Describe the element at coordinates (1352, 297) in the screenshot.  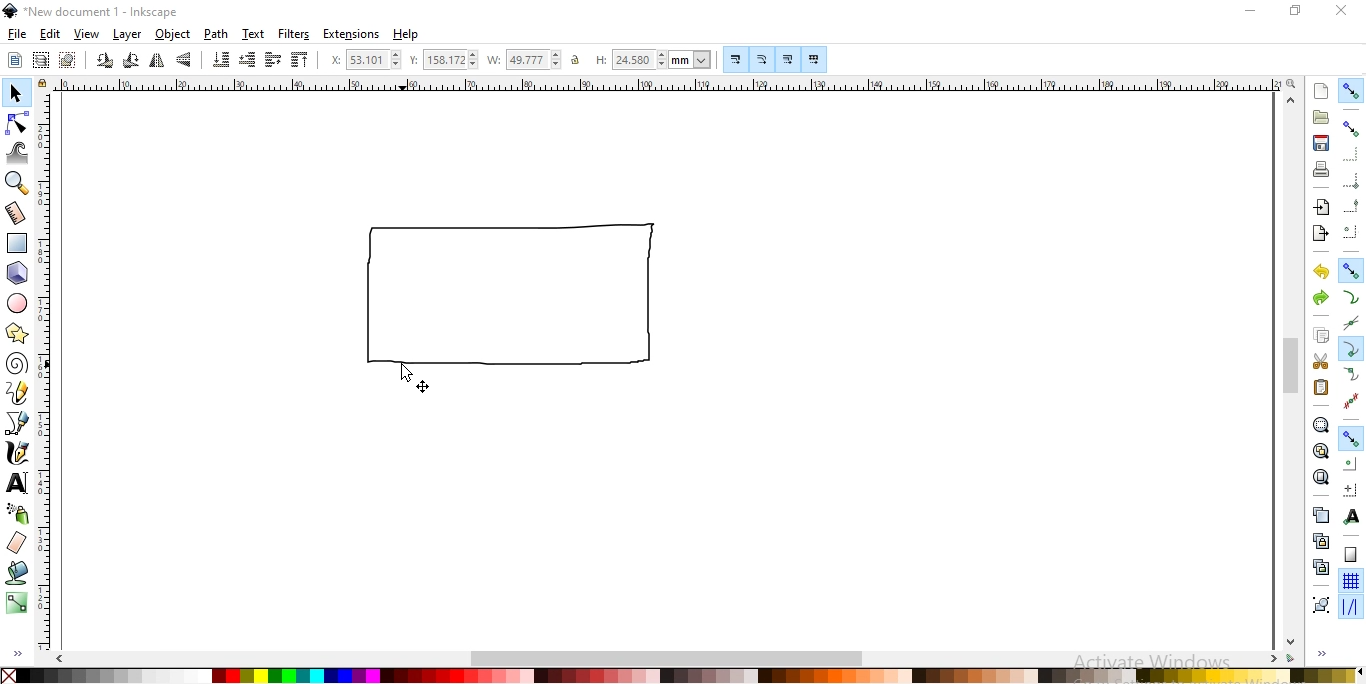
I see `snap to paths` at that location.